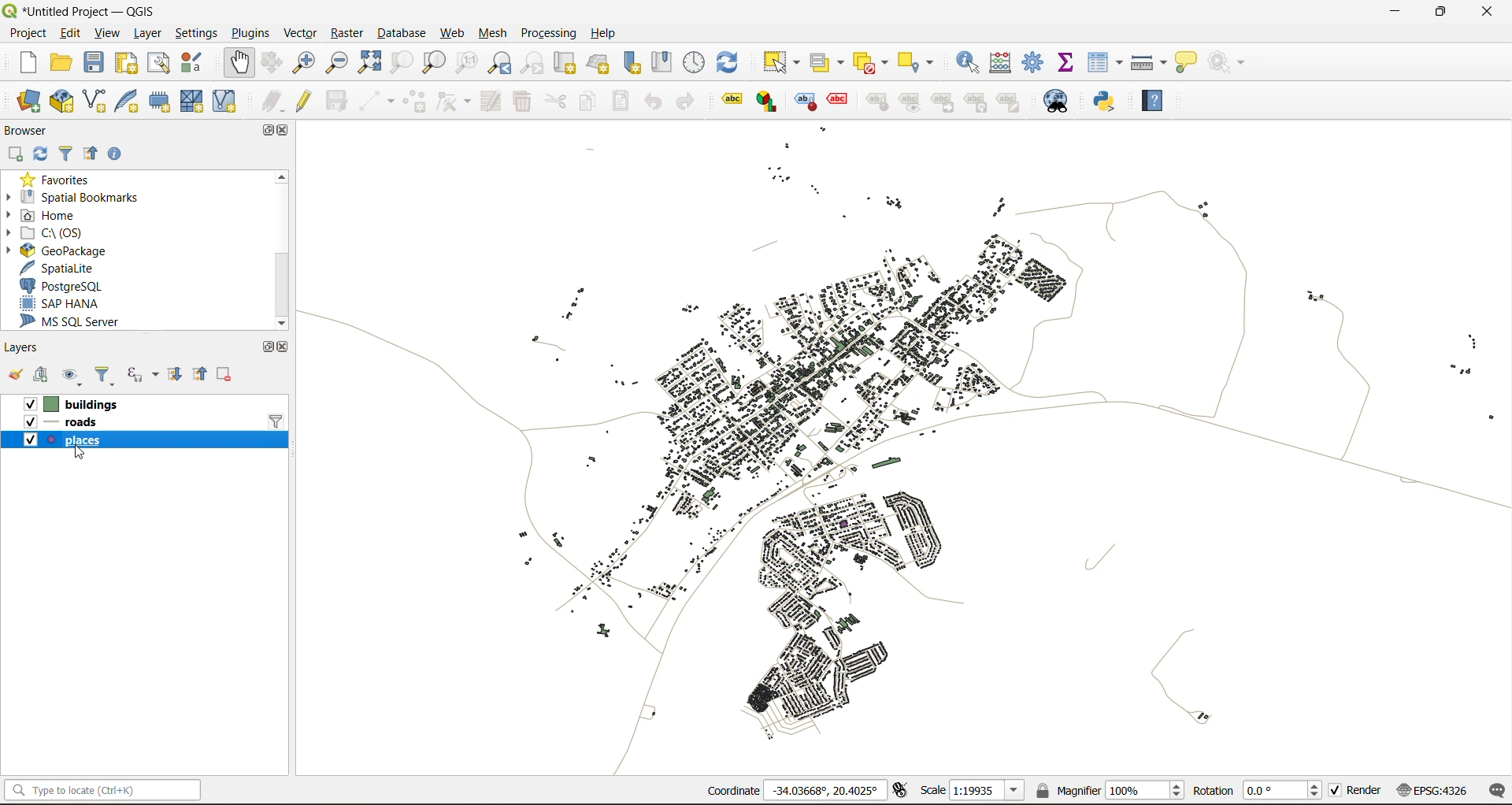 The width and height of the screenshot is (1512, 805). Describe the element at coordinates (1190, 63) in the screenshot. I see `show tips` at that location.